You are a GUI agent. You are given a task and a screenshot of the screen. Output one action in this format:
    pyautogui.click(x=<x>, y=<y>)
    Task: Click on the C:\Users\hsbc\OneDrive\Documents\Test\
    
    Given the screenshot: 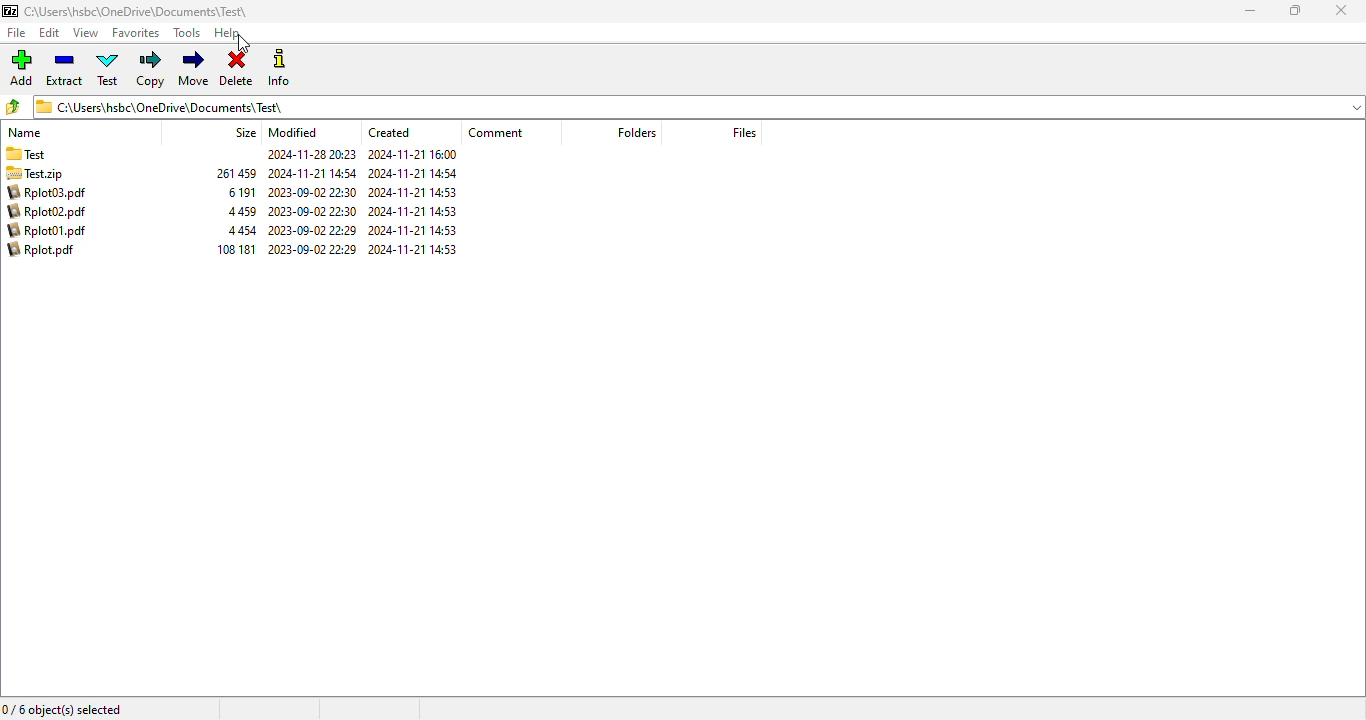 What is the action you would take?
    pyautogui.click(x=683, y=110)
    